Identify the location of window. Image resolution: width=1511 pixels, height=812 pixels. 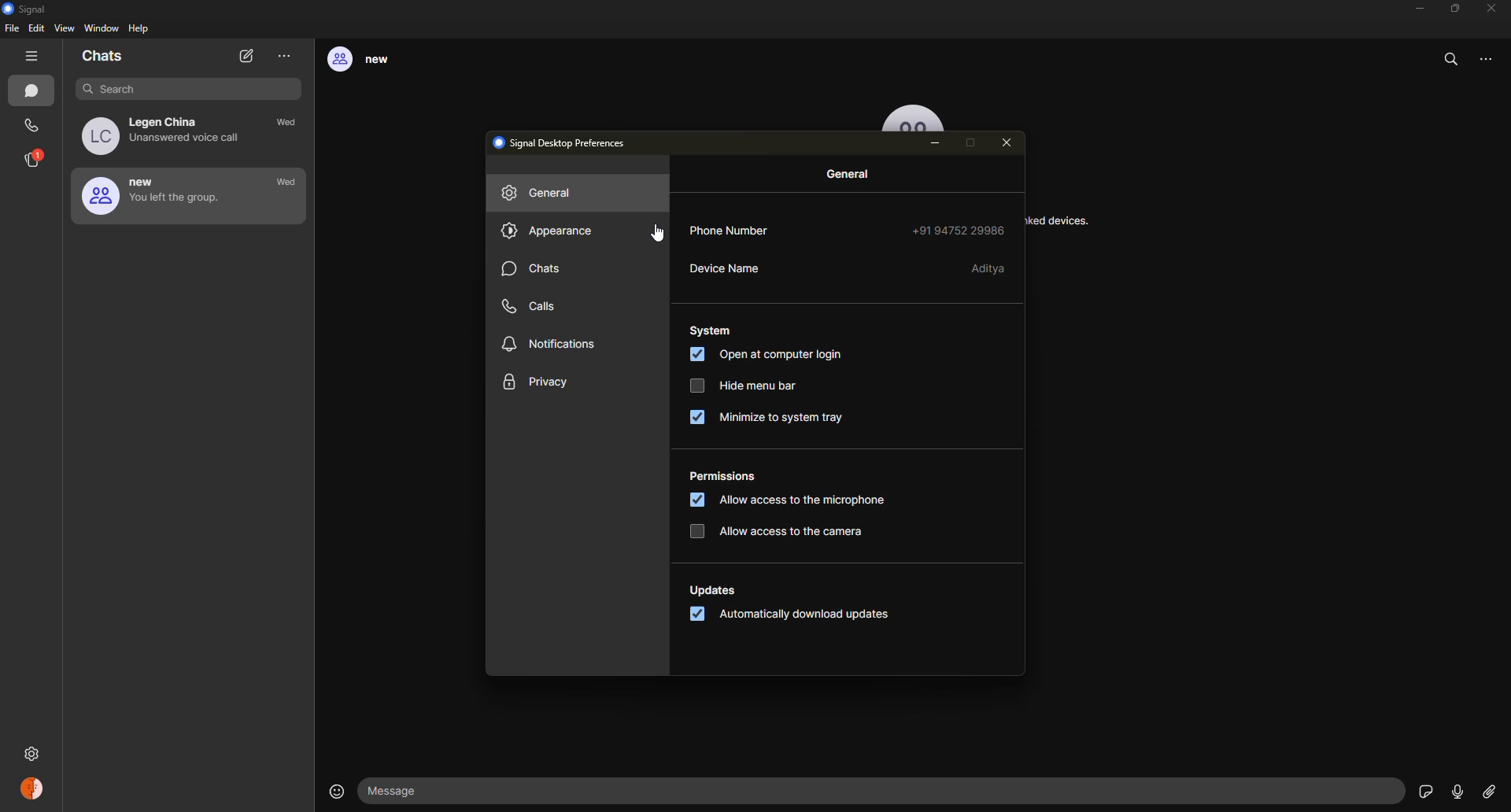
(102, 29).